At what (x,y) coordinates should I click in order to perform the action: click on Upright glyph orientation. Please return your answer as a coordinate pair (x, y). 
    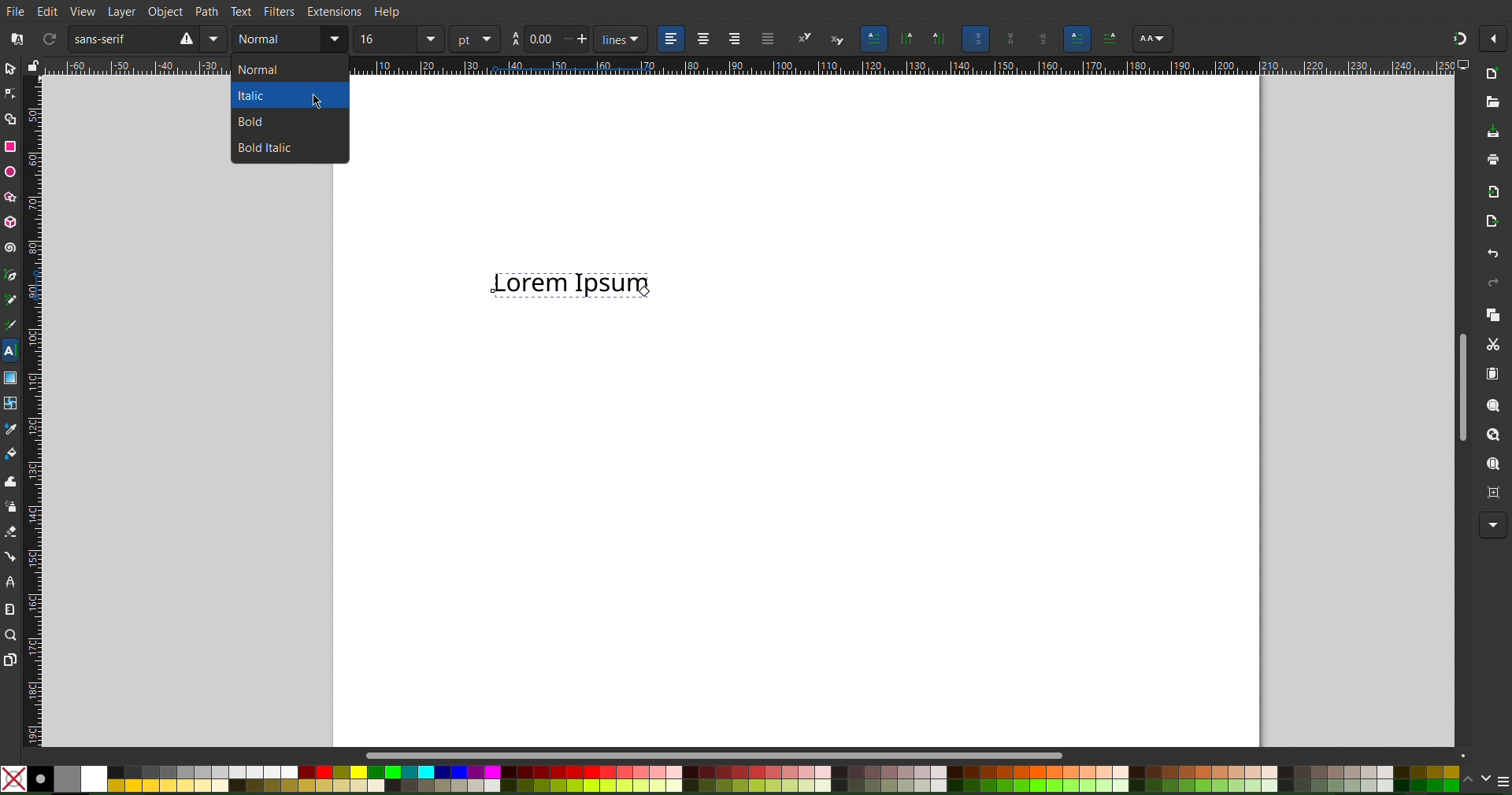
    Looking at the image, I should click on (1014, 41).